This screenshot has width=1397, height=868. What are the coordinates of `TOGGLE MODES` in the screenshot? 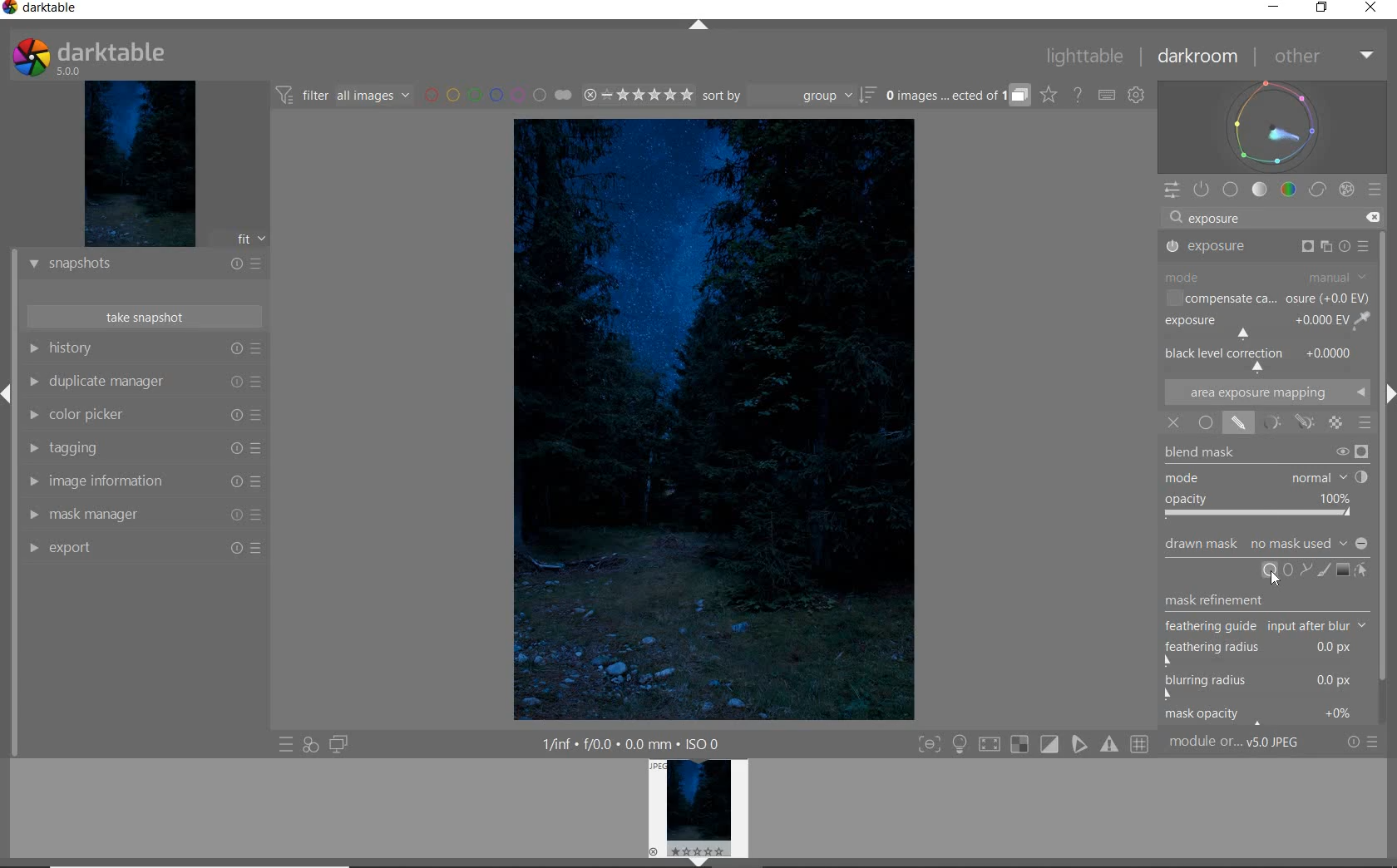 It's located at (1033, 744).